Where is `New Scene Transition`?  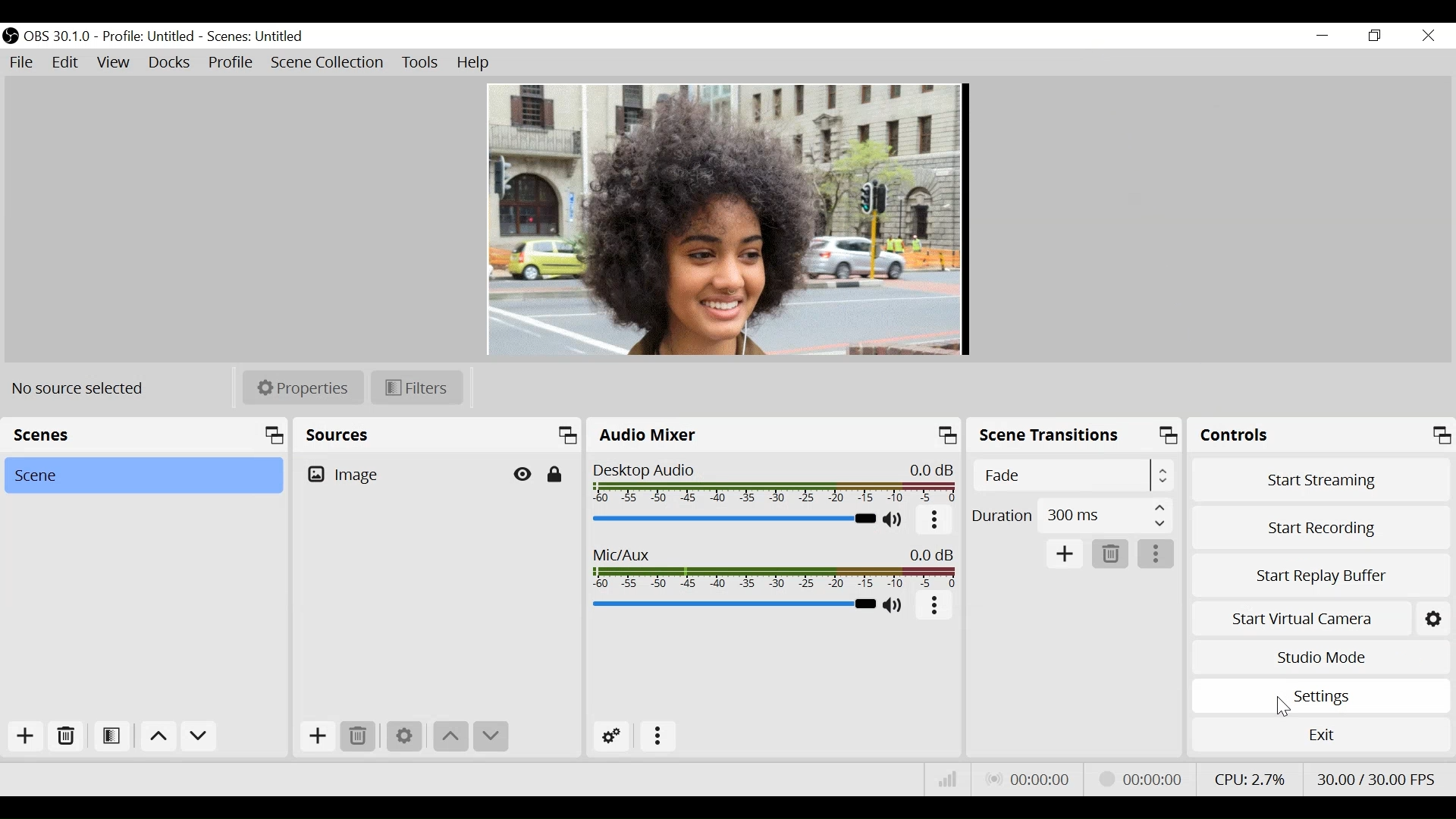
New Scene Transition is located at coordinates (1063, 552).